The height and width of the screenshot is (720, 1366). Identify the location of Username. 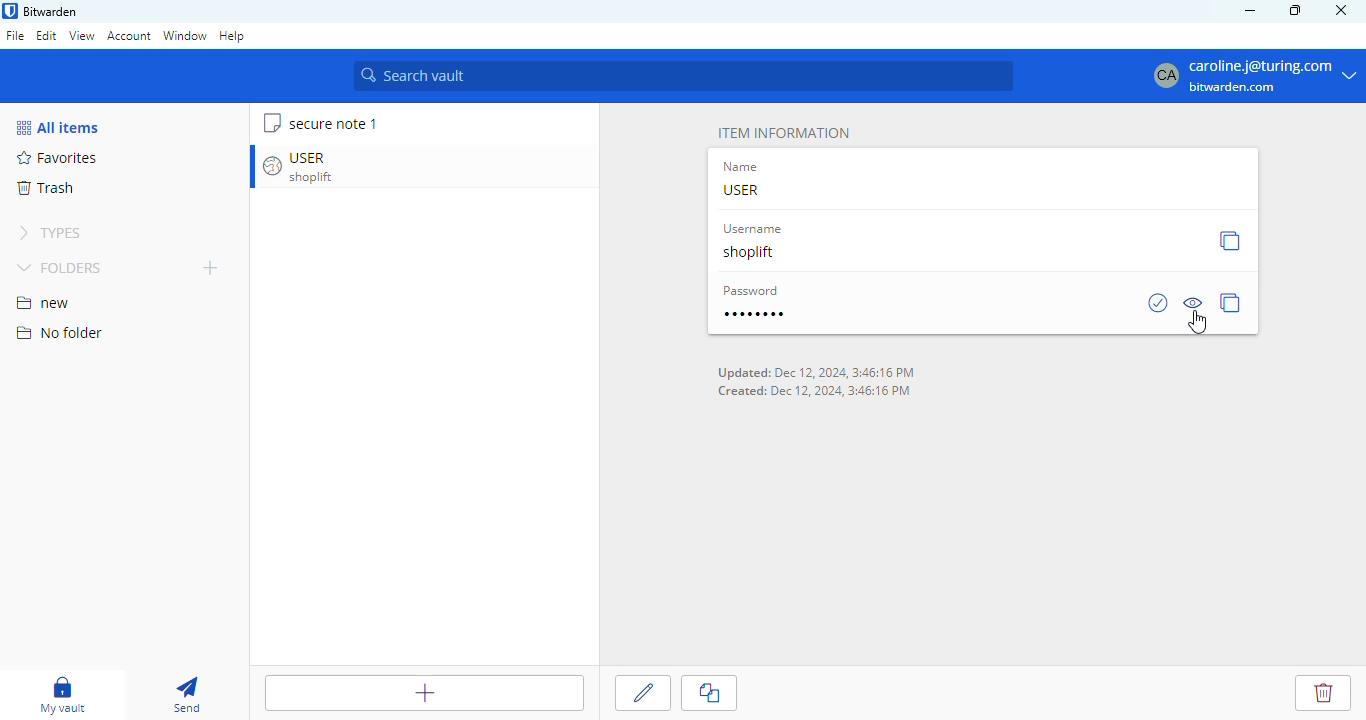
(755, 230).